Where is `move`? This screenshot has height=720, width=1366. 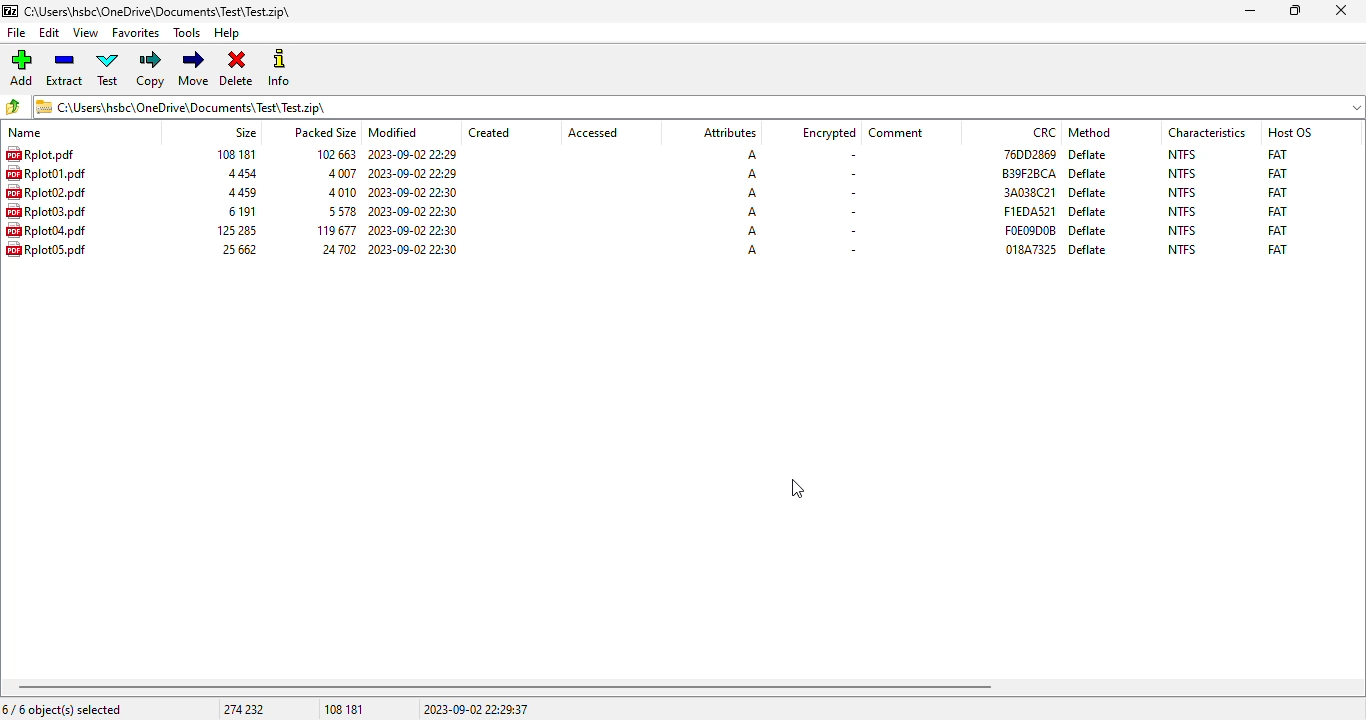 move is located at coordinates (193, 68).